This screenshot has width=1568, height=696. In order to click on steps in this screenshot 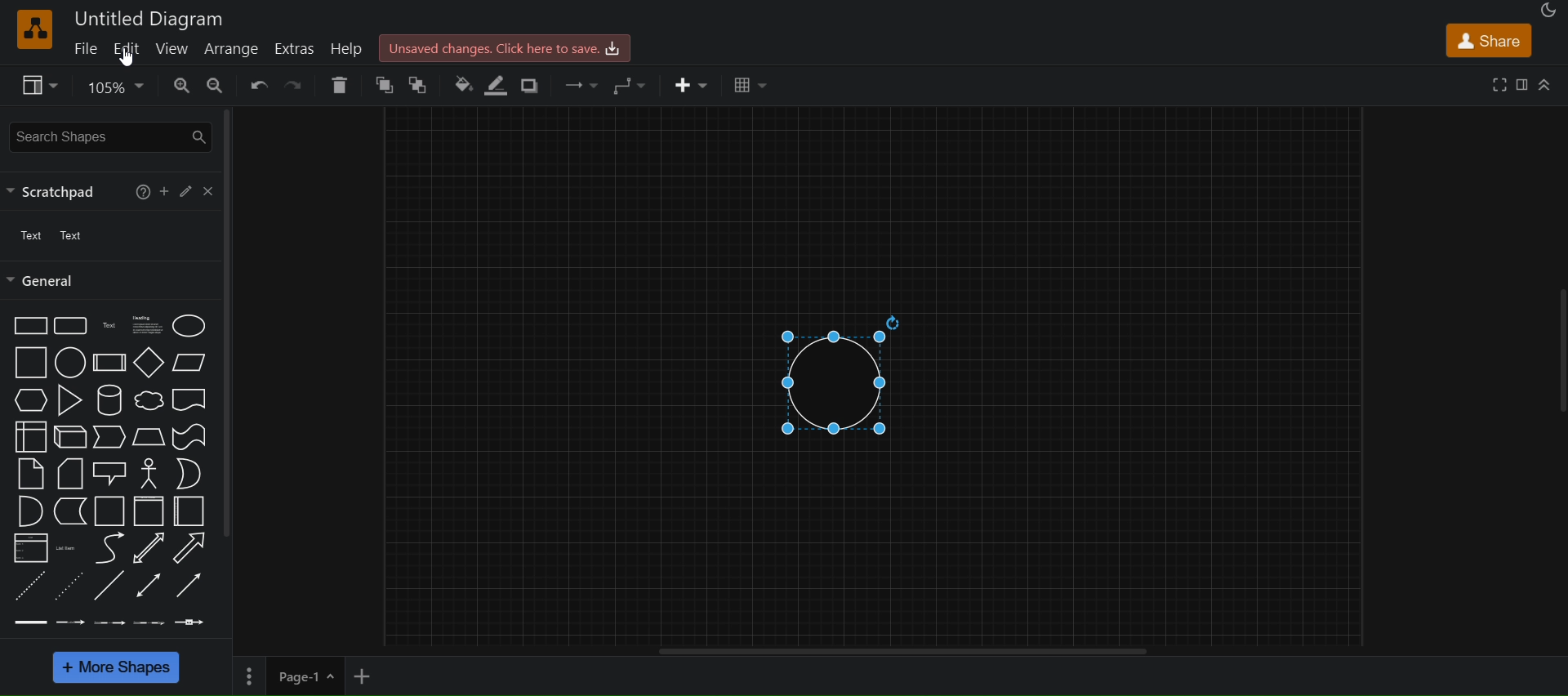, I will do `click(109, 439)`.